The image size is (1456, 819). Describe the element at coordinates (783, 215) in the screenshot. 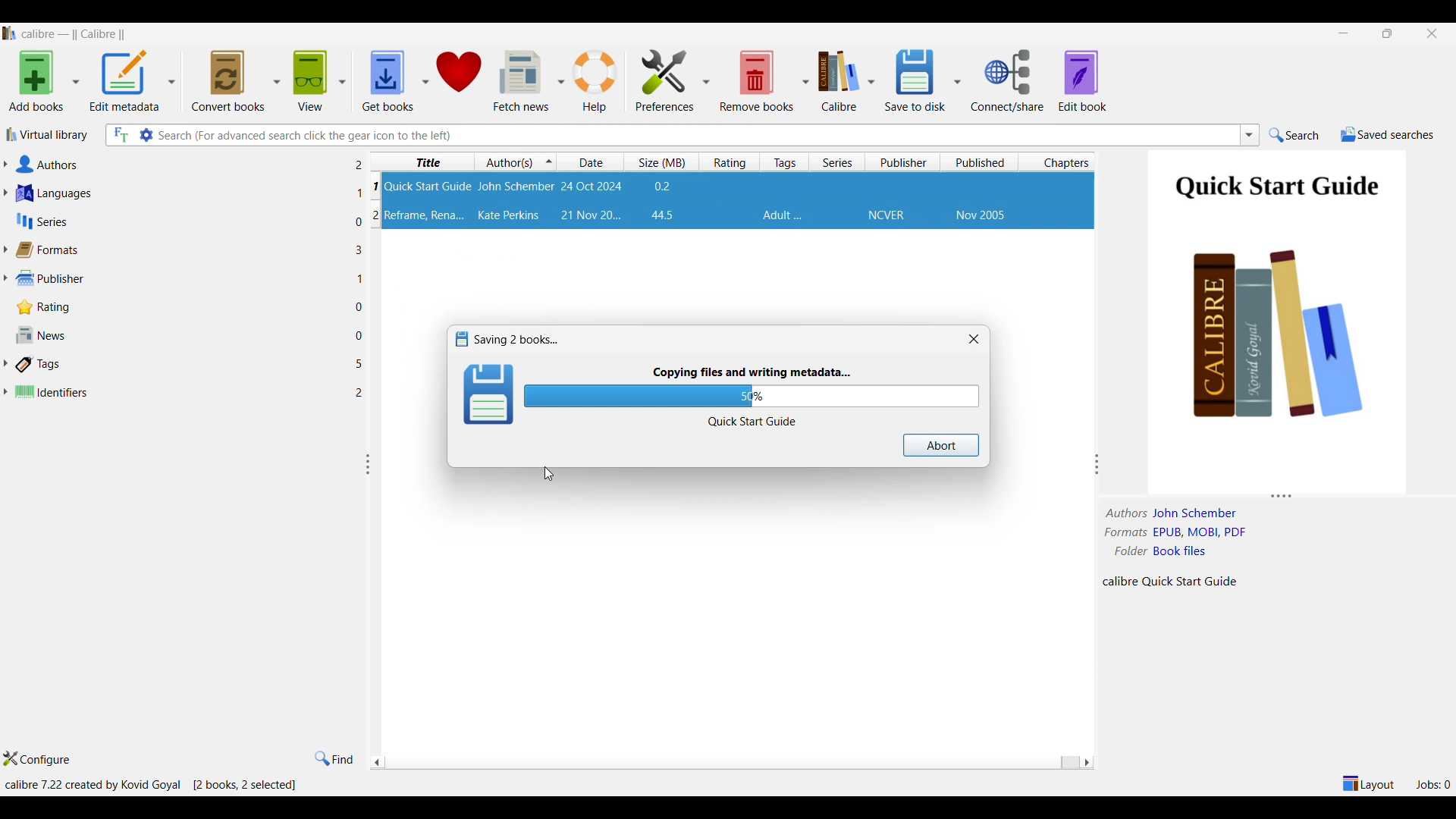

I see `Tags` at that location.